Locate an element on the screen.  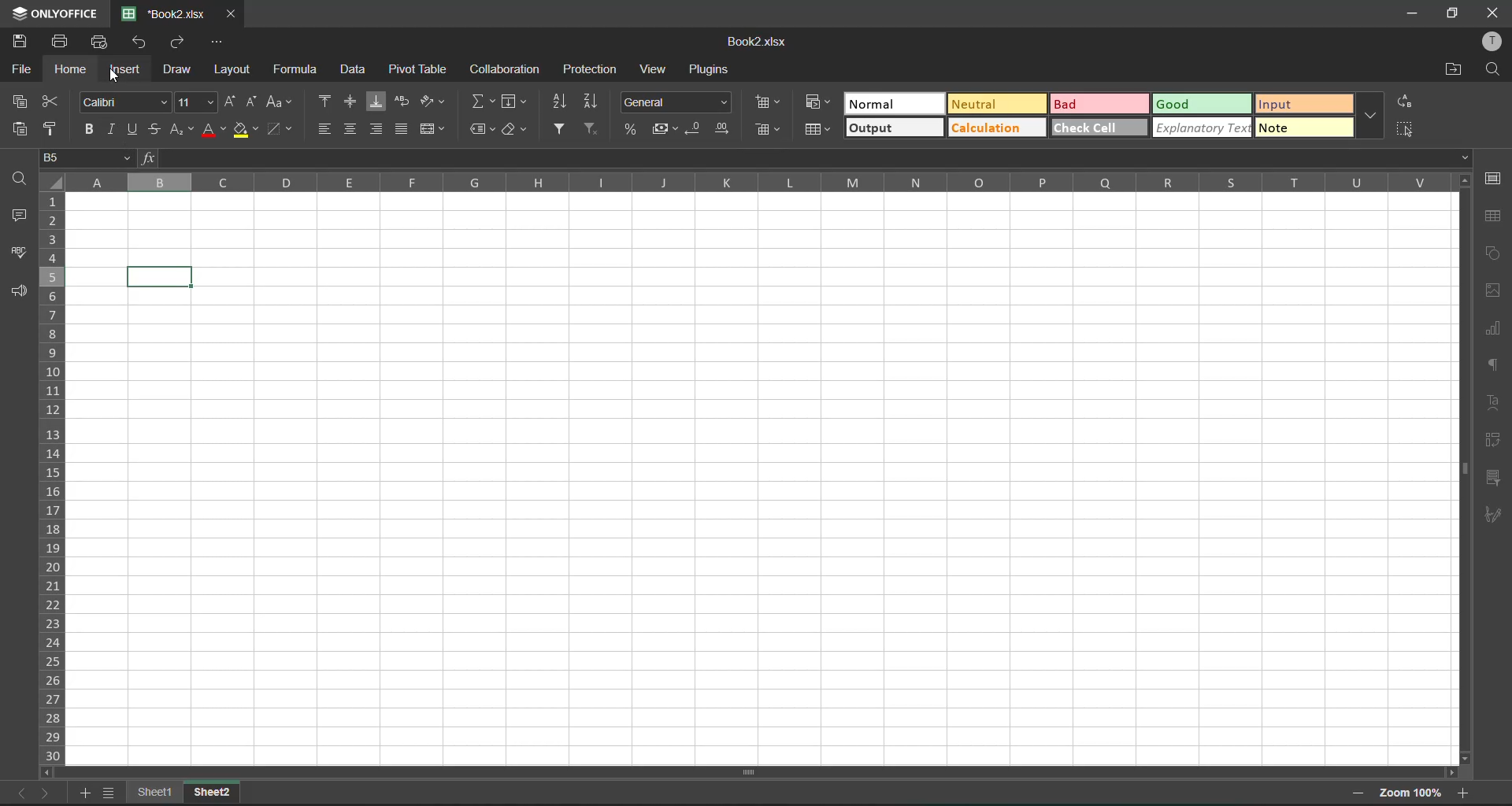
selected cell is located at coordinates (163, 275).